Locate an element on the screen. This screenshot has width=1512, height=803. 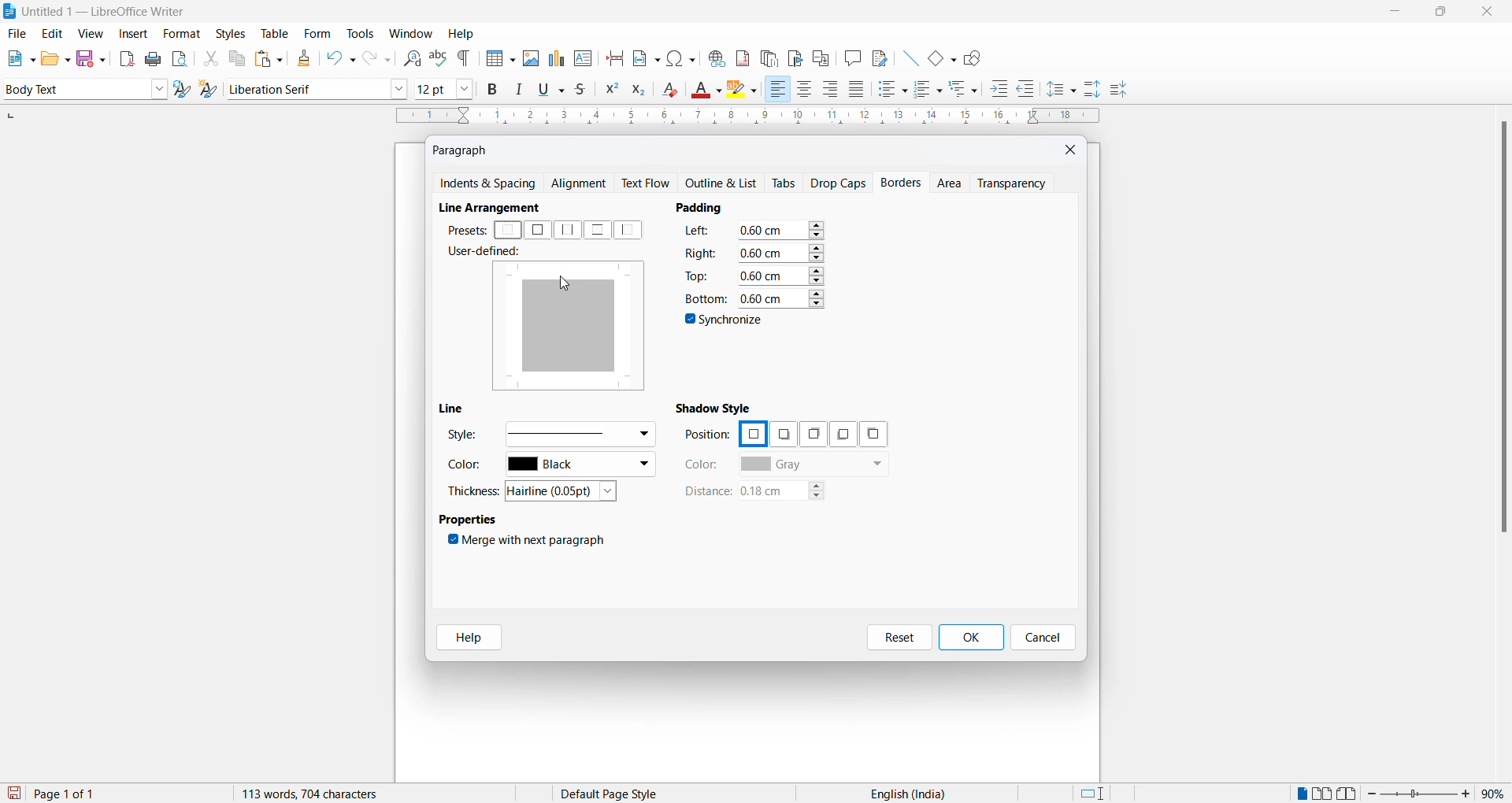
merge next paragraph is located at coordinates (530, 542).